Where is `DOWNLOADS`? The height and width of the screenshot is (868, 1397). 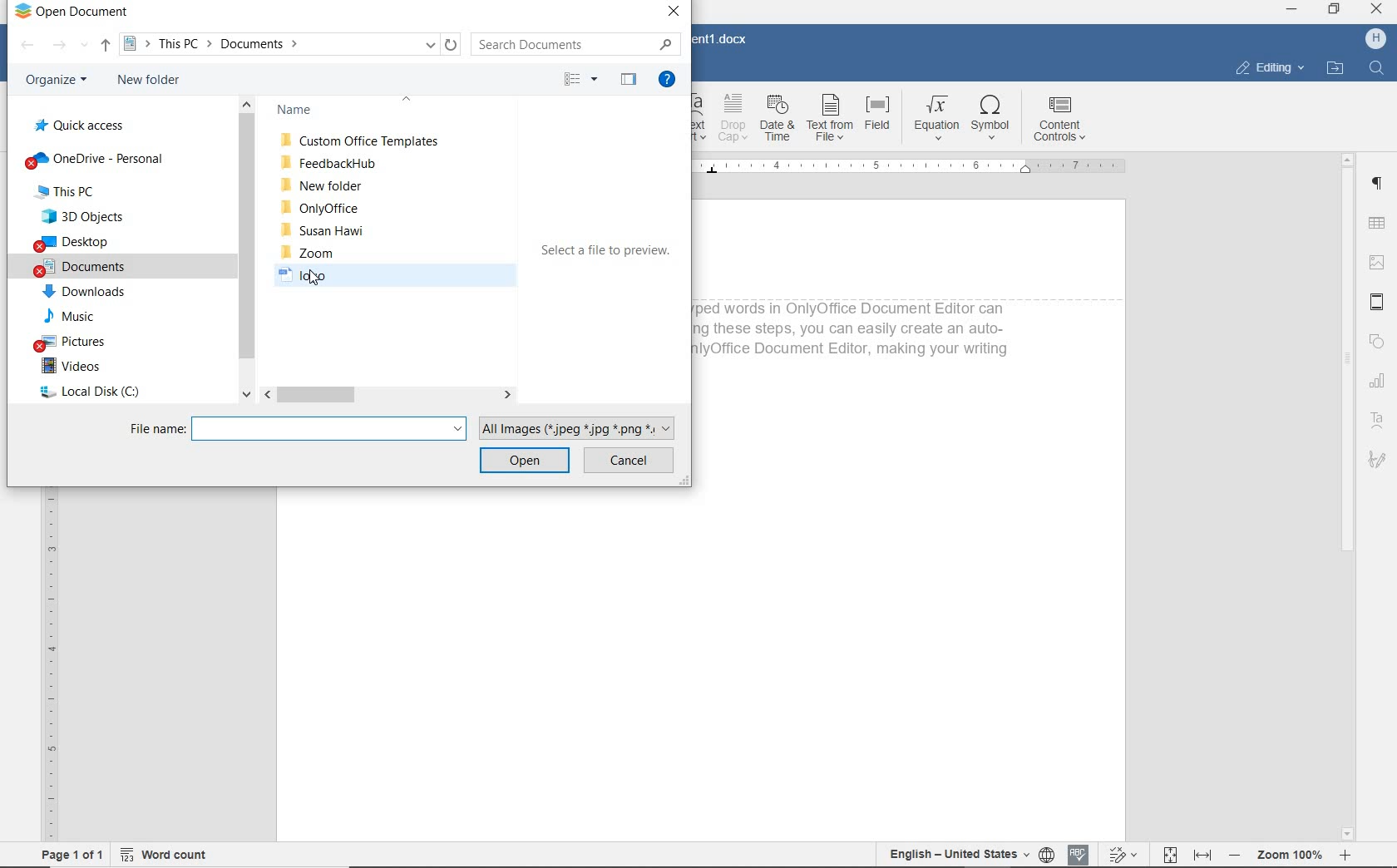 DOWNLOADS is located at coordinates (84, 293).